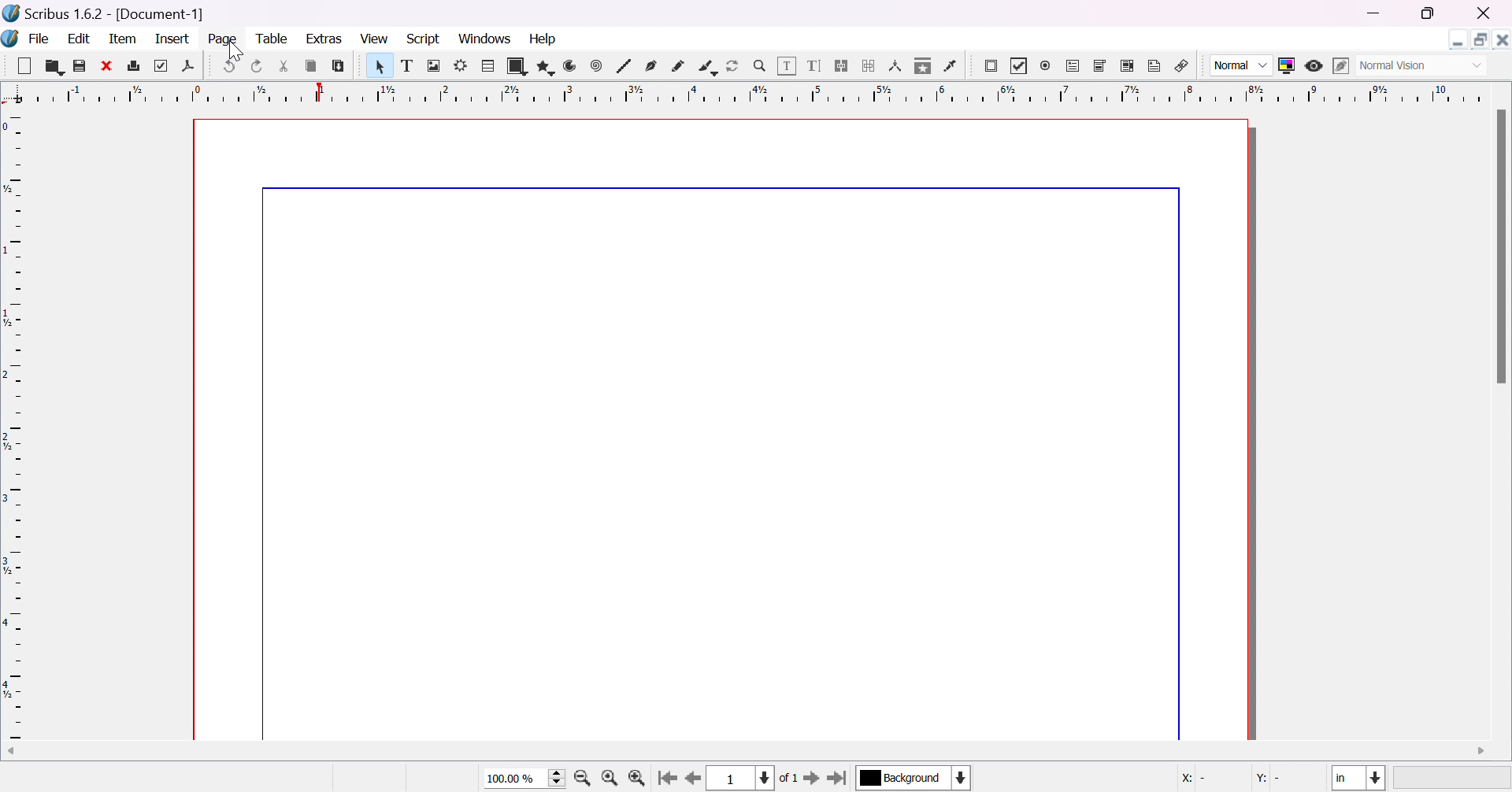  What do you see at coordinates (1314, 66) in the screenshot?
I see `preview  mode` at bounding box center [1314, 66].